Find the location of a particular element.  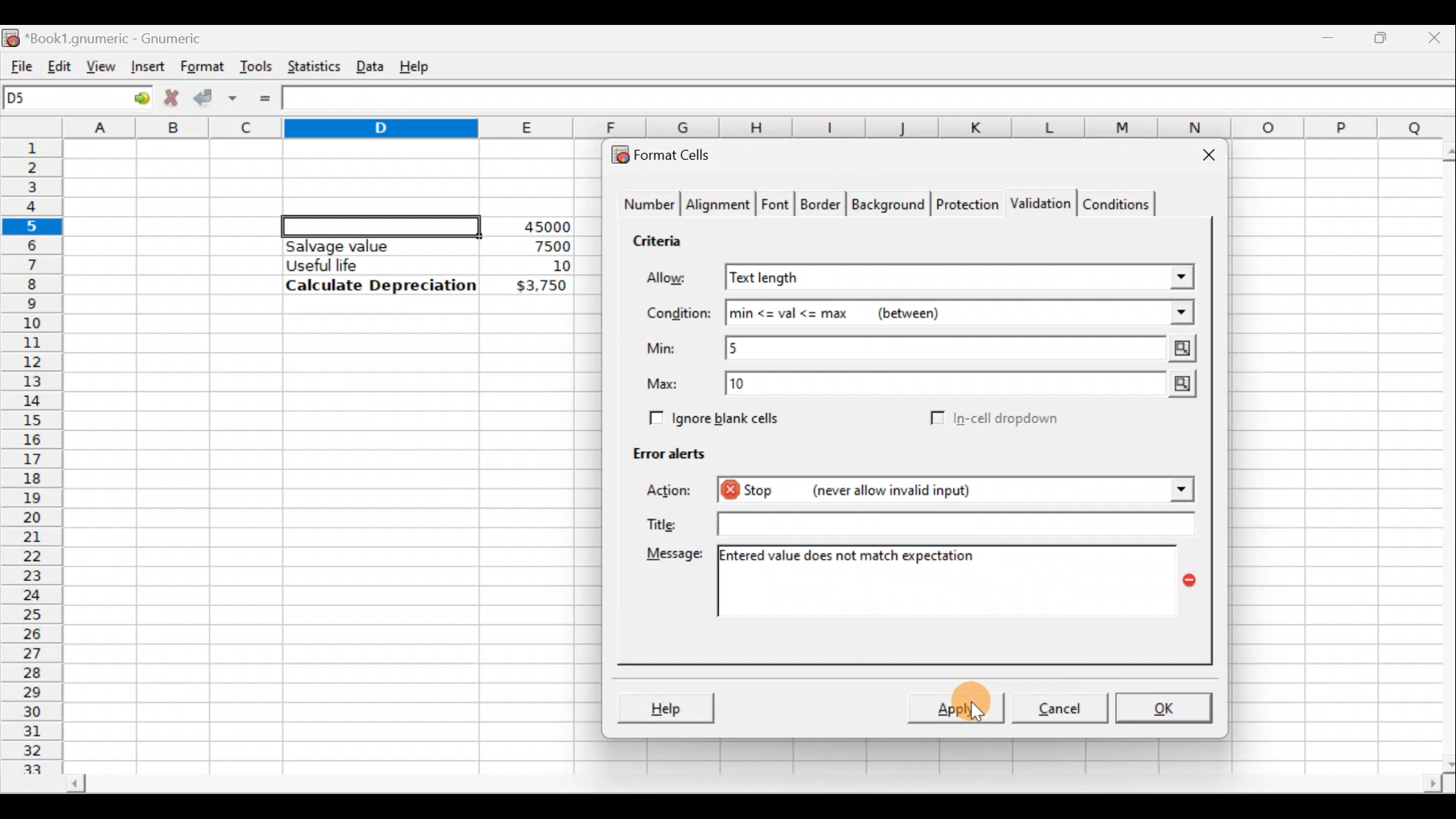

Max value = 10 is located at coordinates (965, 387).